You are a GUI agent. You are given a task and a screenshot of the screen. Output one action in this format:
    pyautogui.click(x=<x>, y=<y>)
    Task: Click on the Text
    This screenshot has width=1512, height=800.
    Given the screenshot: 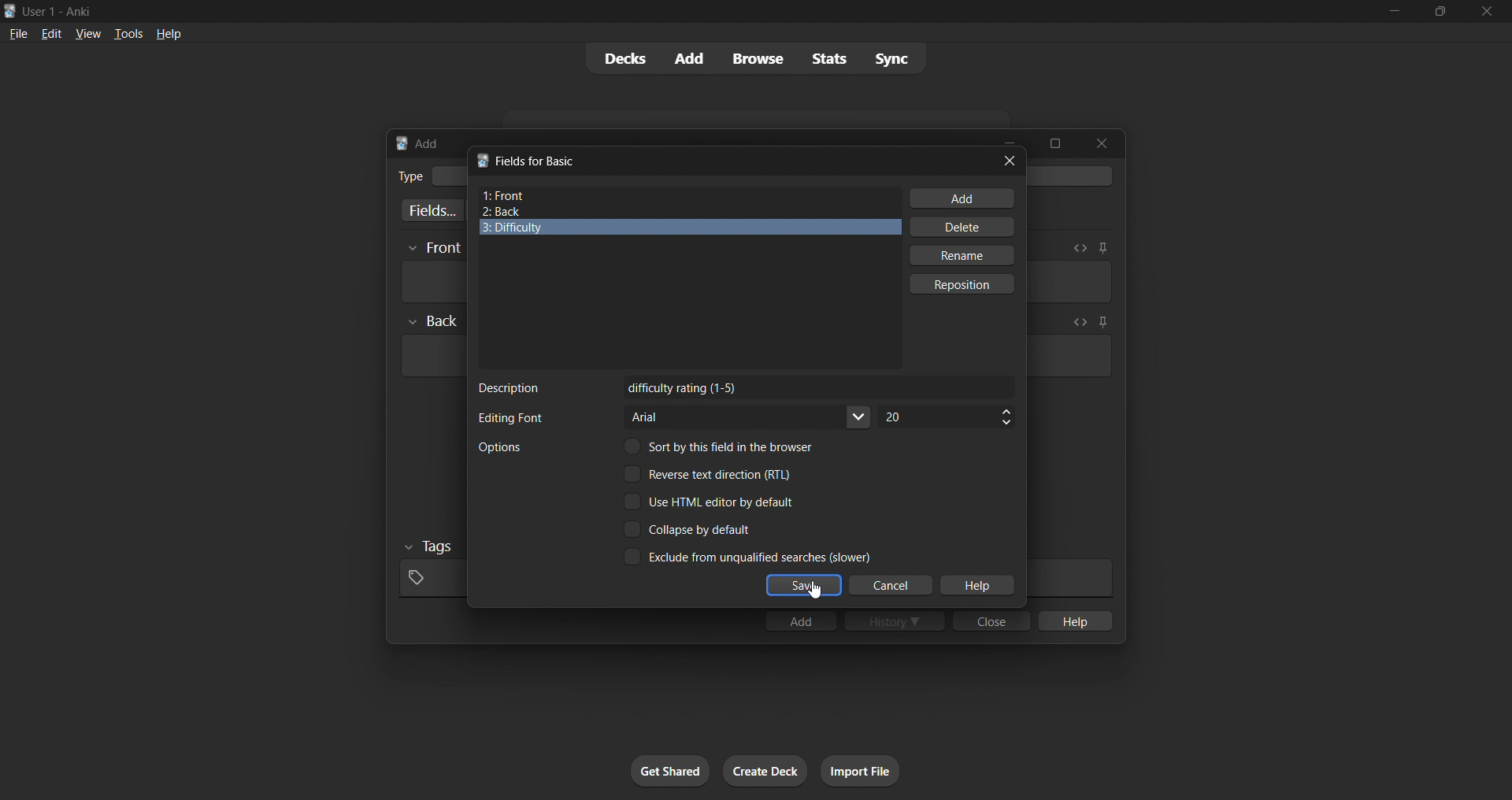 What is the action you would take?
    pyautogui.click(x=409, y=176)
    